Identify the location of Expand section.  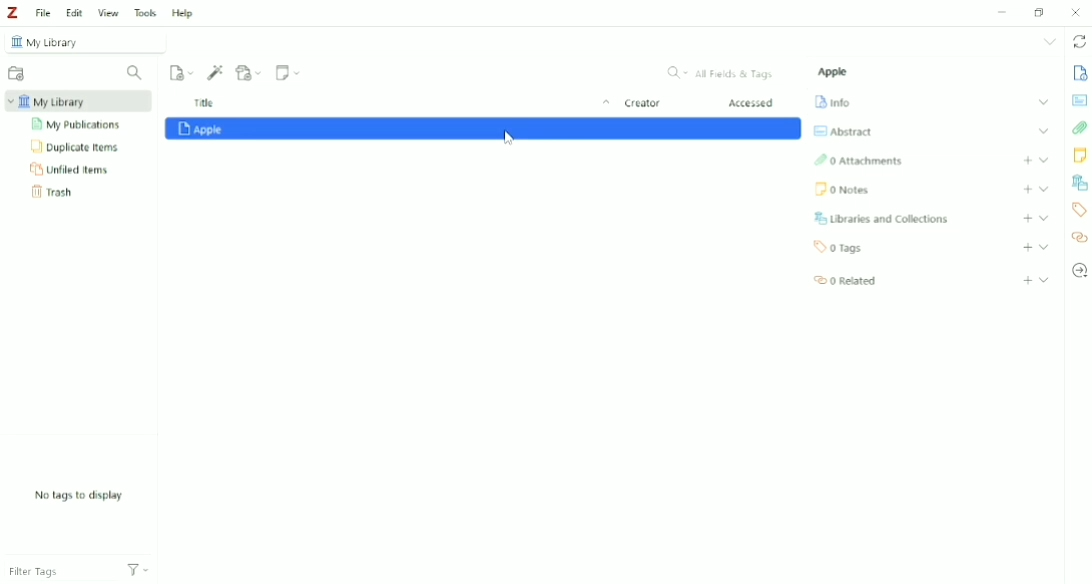
(1044, 247).